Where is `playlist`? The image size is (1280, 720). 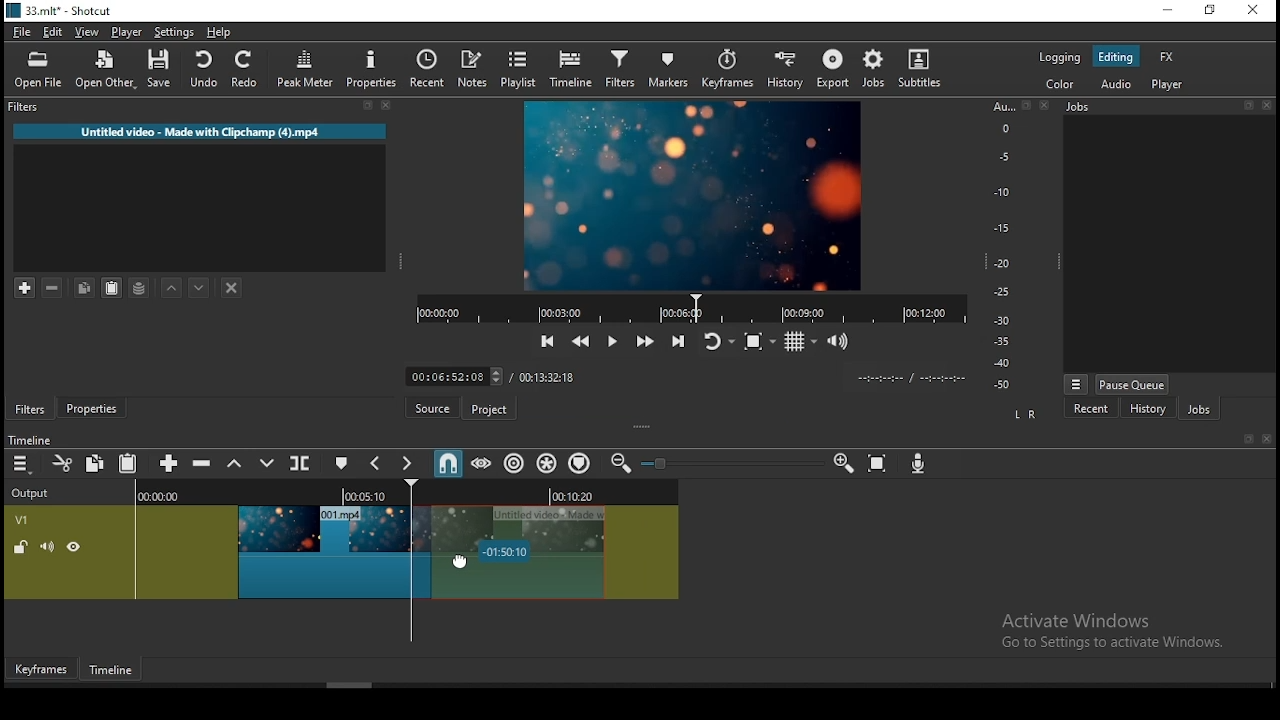
playlist is located at coordinates (520, 71).